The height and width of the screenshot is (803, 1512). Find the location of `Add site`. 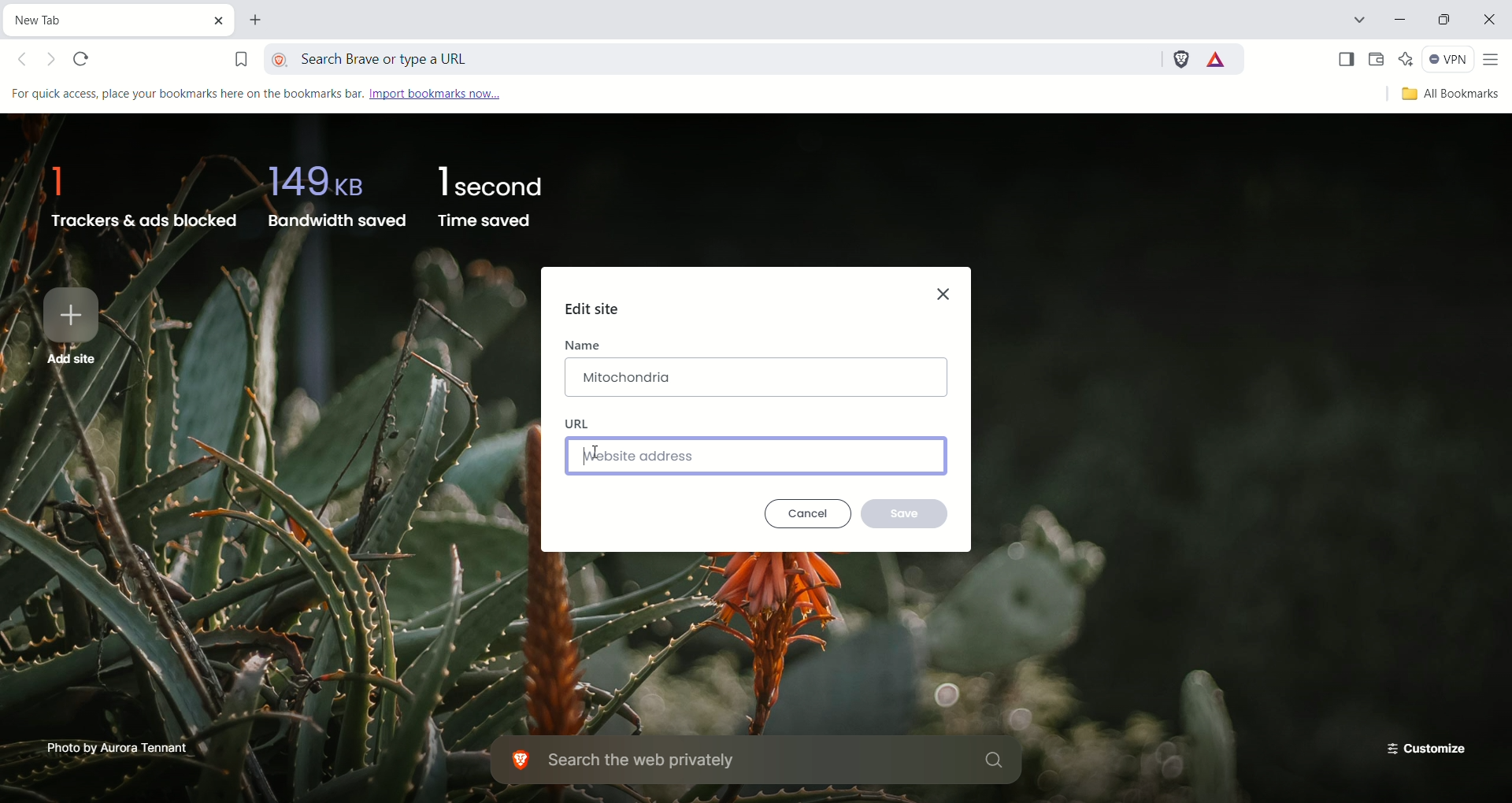

Add site is located at coordinates (73, 324).